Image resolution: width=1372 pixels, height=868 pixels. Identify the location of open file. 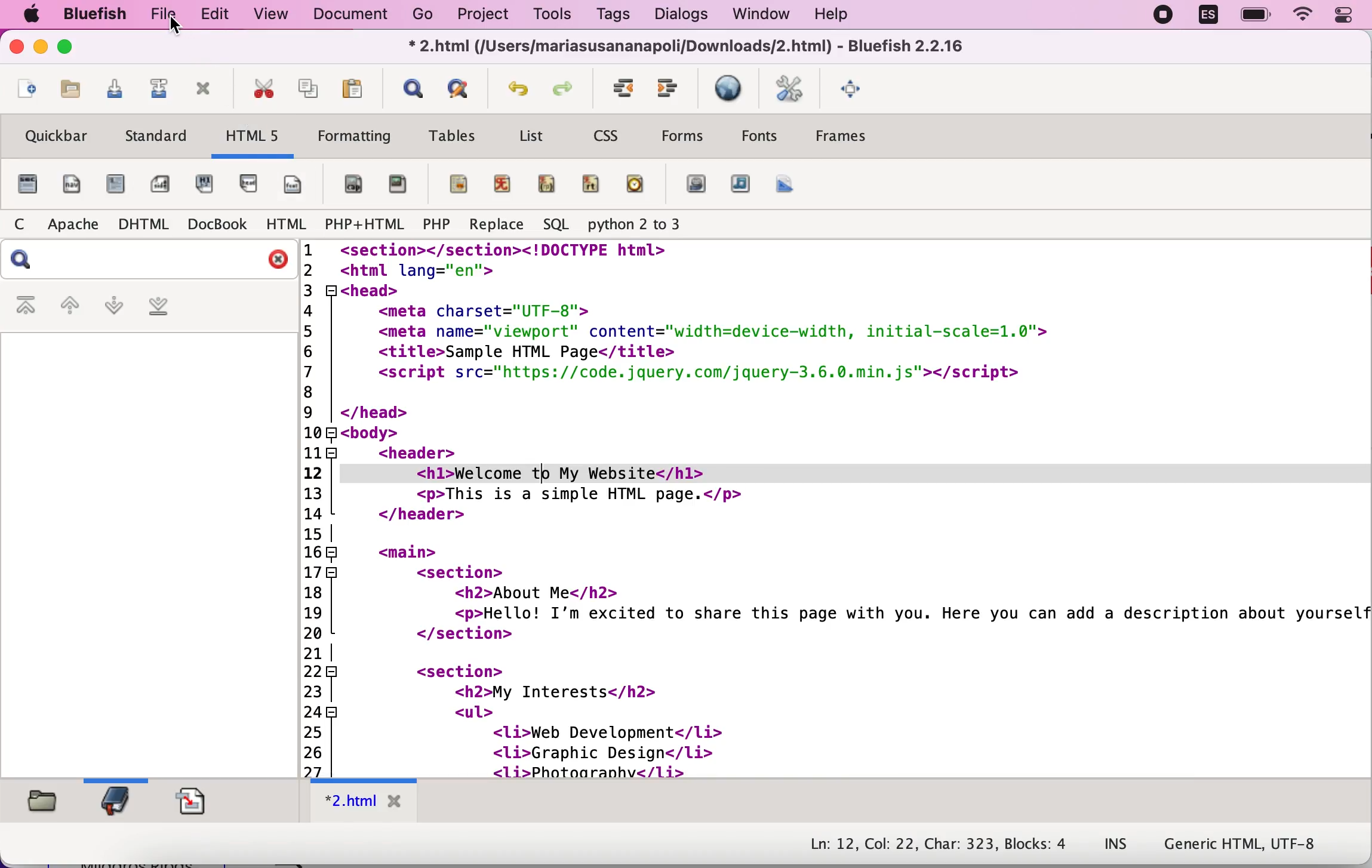
(67, 94).